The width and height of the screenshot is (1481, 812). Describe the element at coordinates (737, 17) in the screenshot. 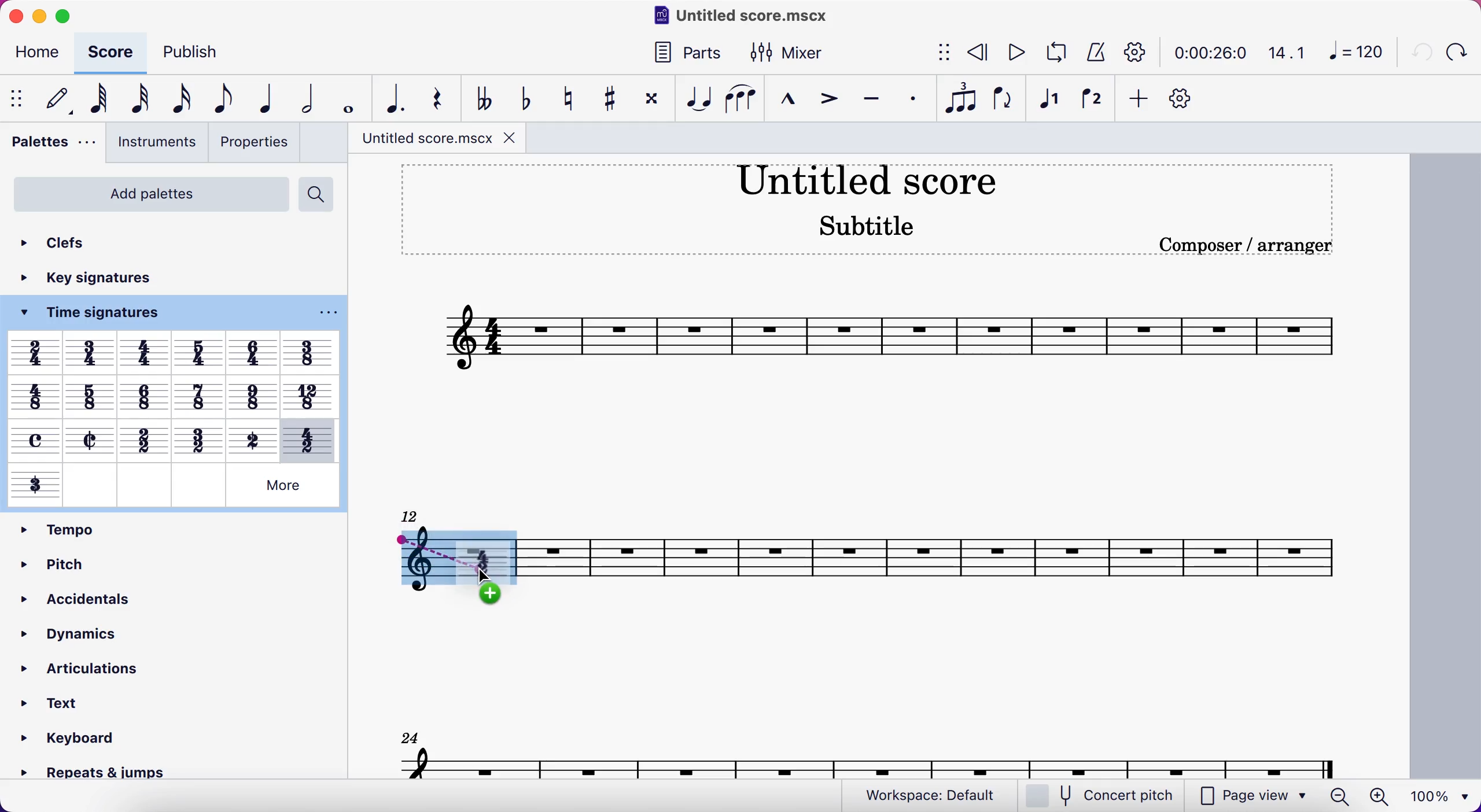

I see `title` at that location.